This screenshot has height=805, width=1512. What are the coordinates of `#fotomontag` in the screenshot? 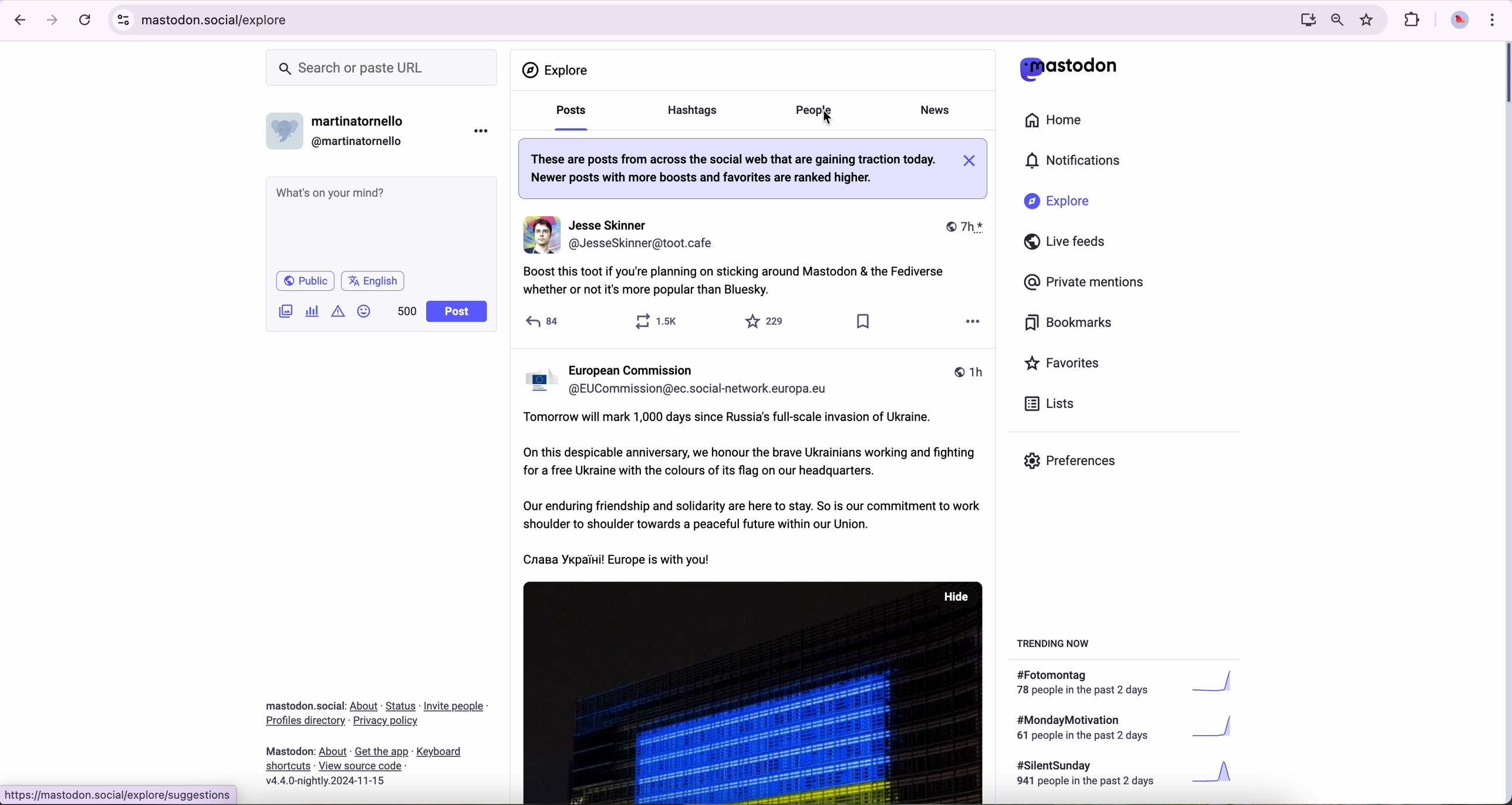 It's located at (1133, 683).